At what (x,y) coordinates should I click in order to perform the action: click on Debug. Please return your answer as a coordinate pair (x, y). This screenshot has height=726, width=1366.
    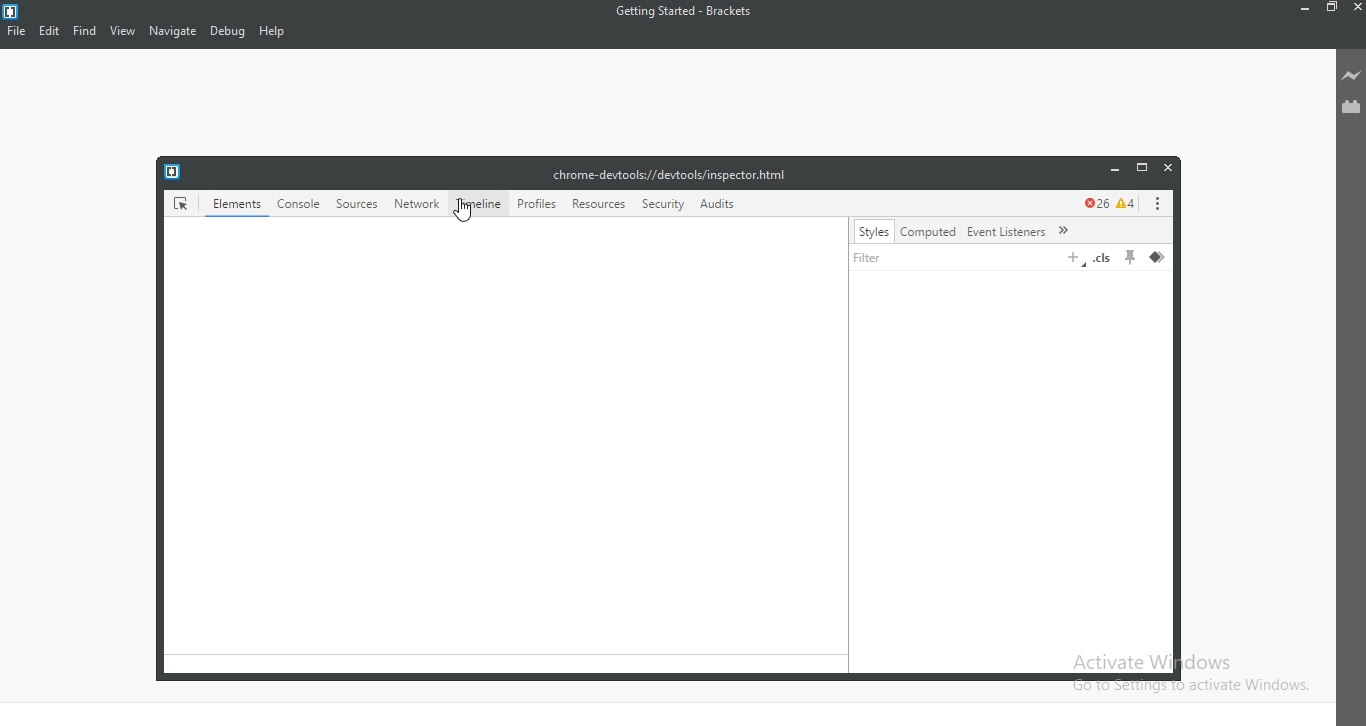
    Looking at the image, I should click on (228, 31).